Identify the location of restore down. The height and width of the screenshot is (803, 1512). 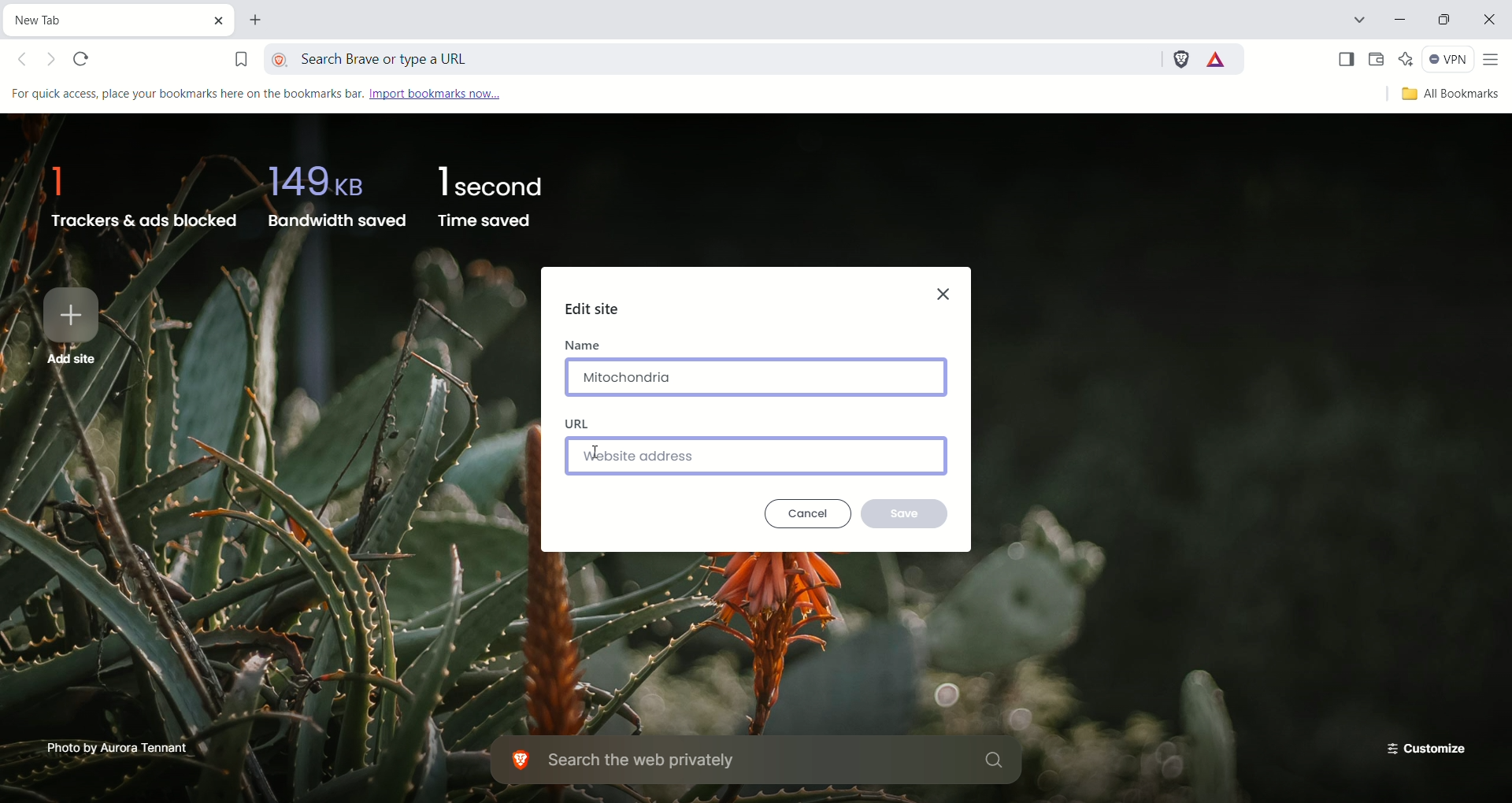
(1447, 22).